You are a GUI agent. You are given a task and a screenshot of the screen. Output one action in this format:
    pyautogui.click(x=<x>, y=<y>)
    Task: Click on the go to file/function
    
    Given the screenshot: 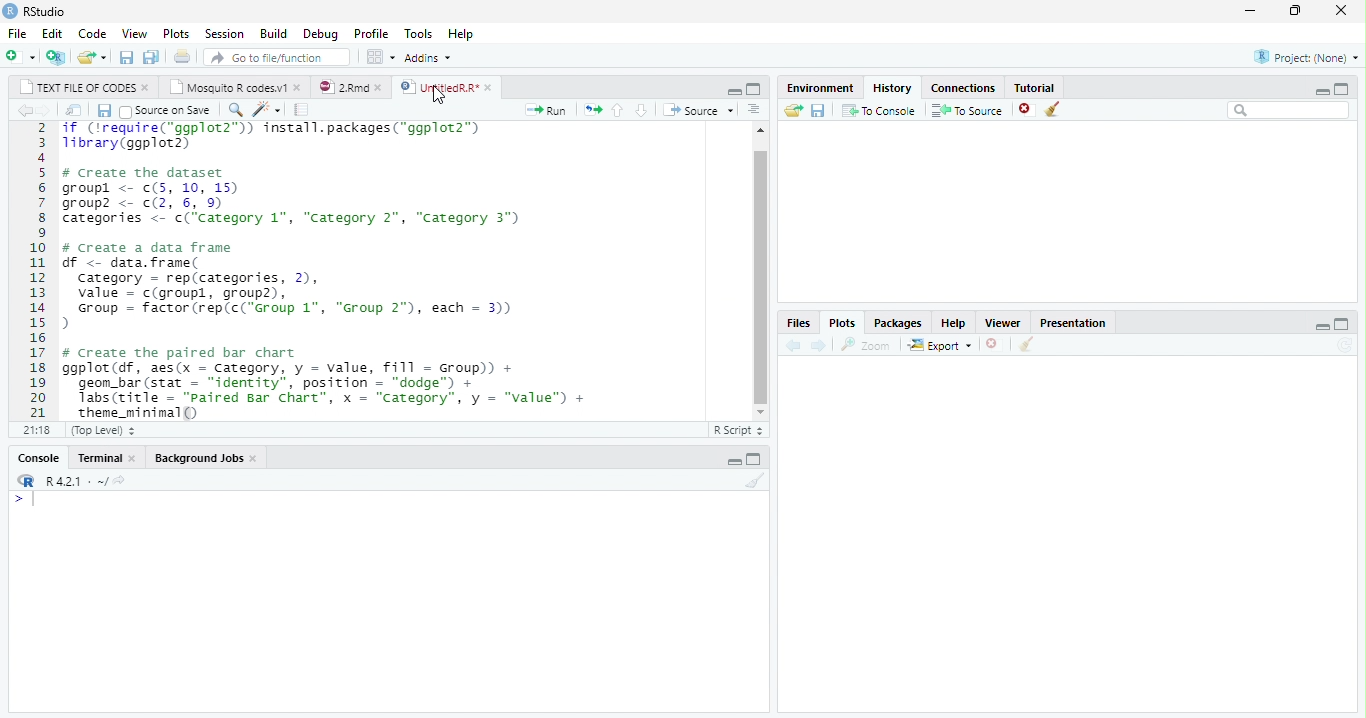 What is the action you would take?
    pyautogui.click(x=277, y=58)
    